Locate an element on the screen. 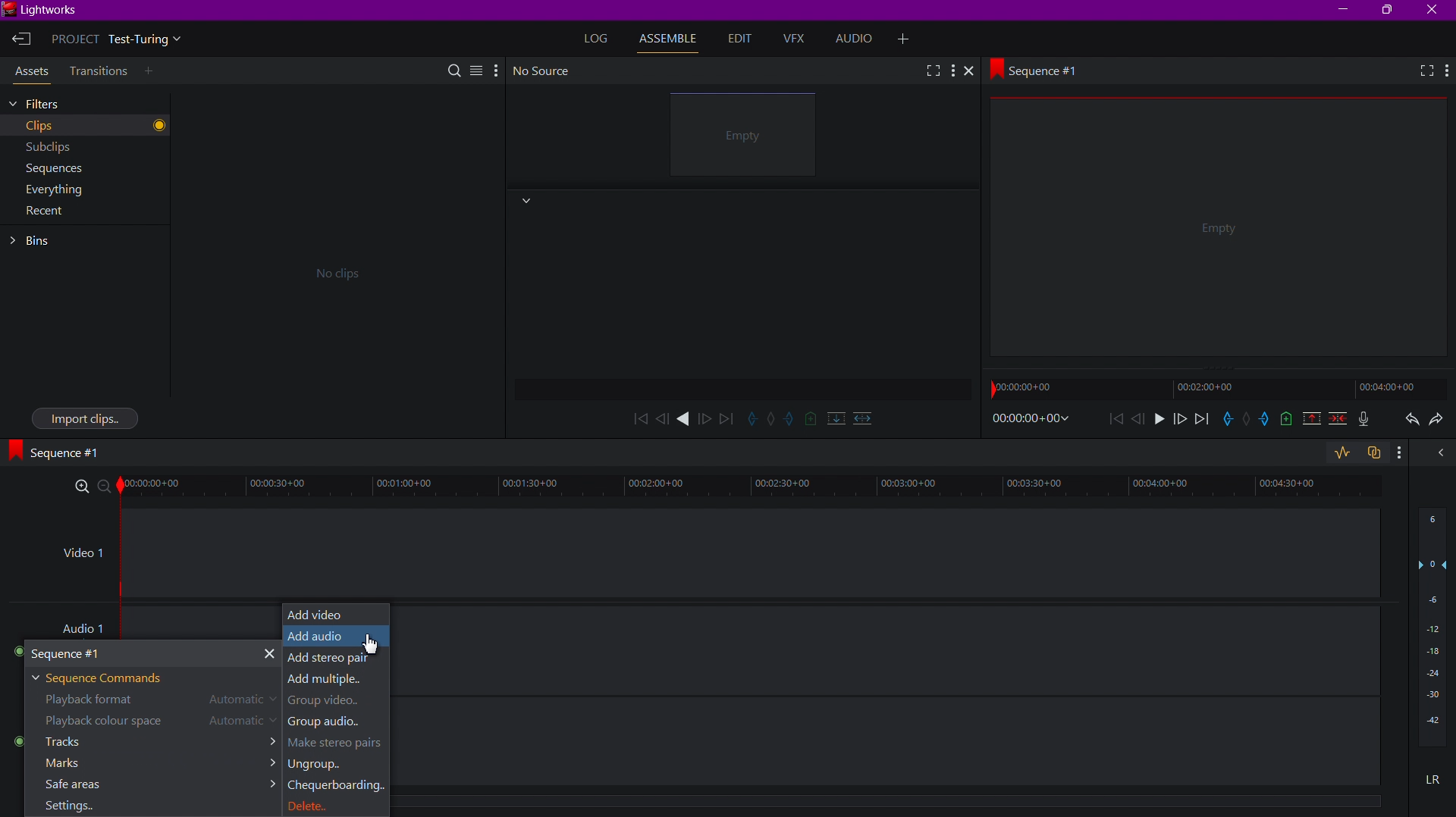 Image resolution: width=1456 pixels, height=817 pixels. play is located at coordinates (685, 419).